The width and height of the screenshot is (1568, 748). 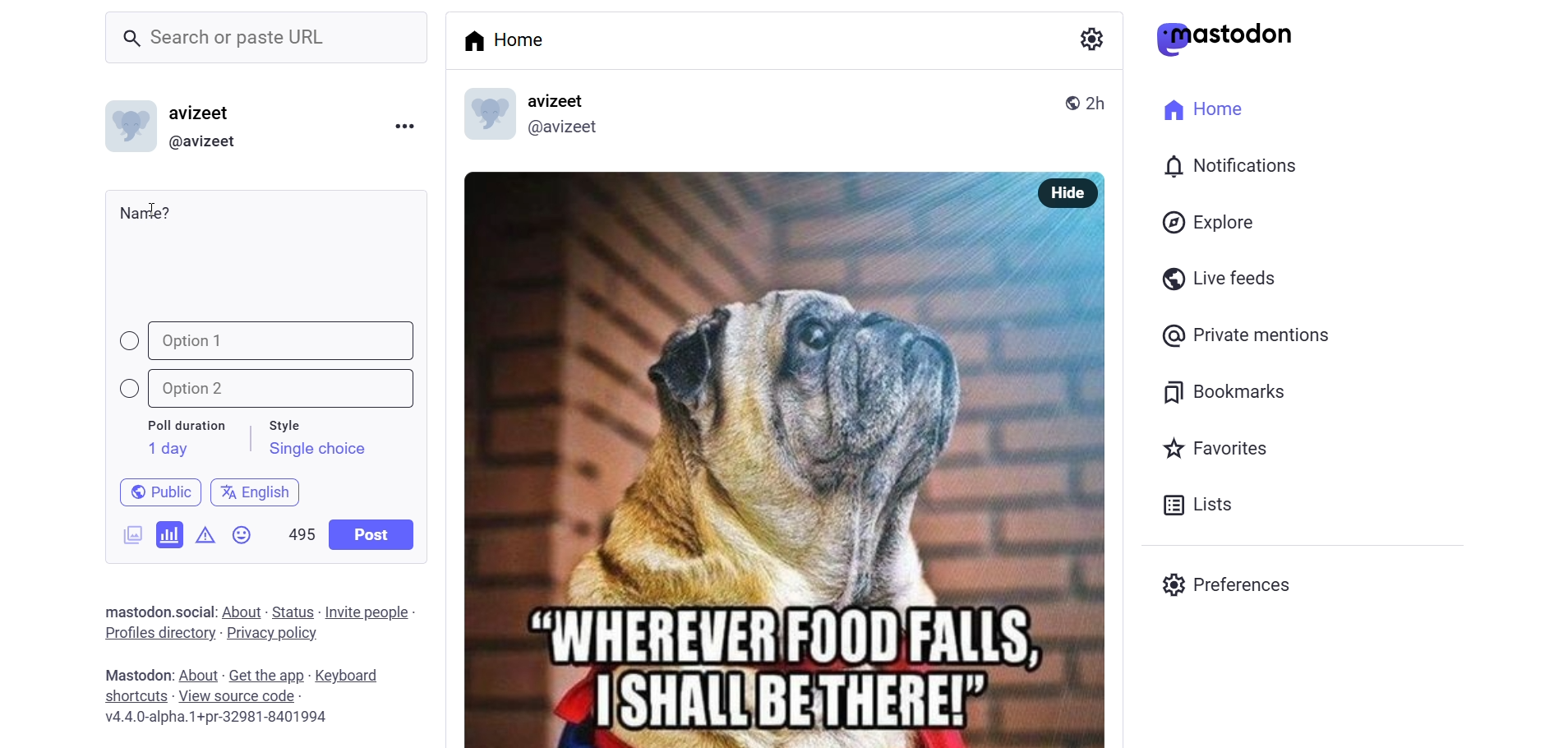 I want to click on avizeet, so click(x=204, y=115).